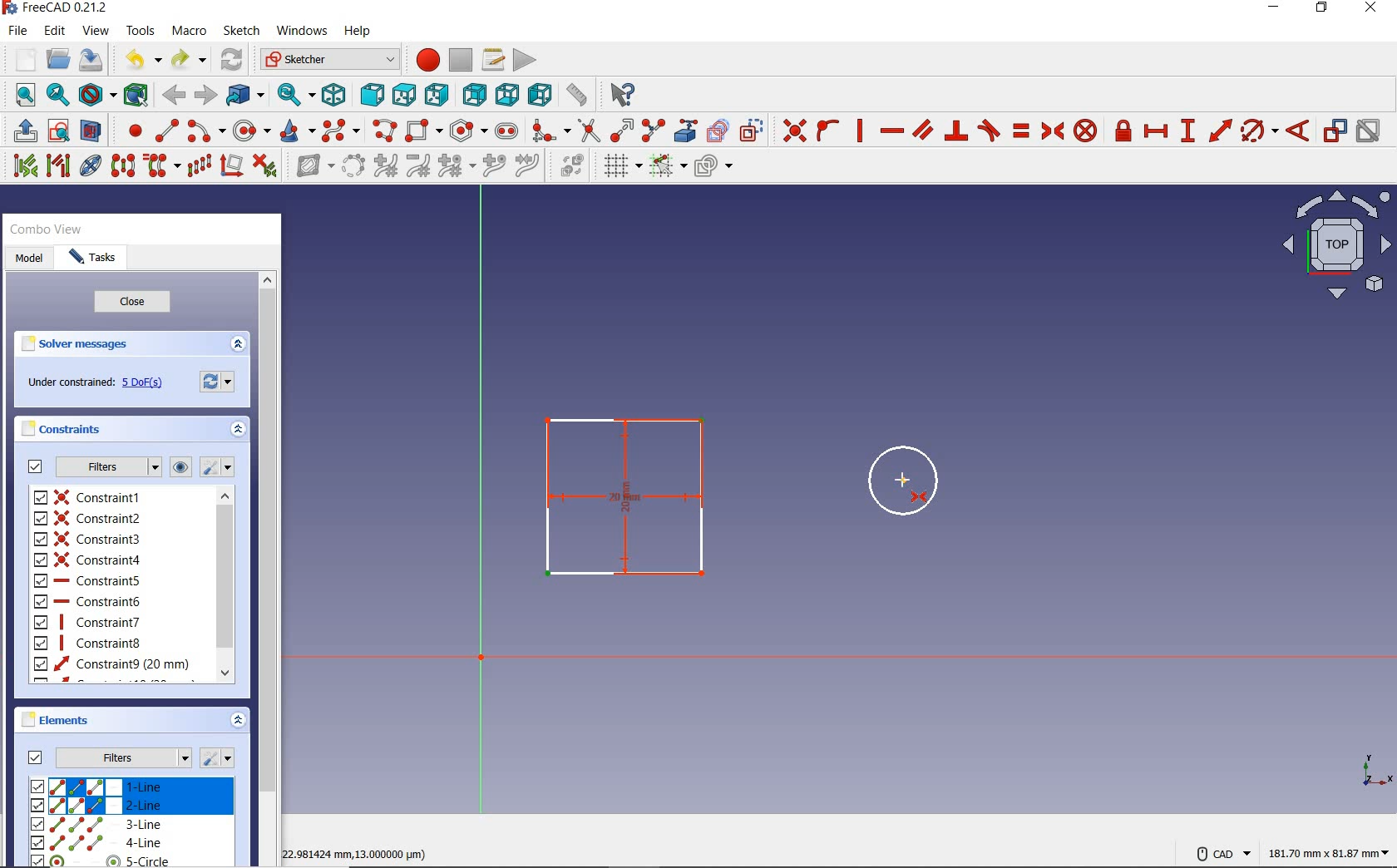 This screenshot has height=868, width=1397. I want to click on modify knot multiplicity, so click(457, 167).